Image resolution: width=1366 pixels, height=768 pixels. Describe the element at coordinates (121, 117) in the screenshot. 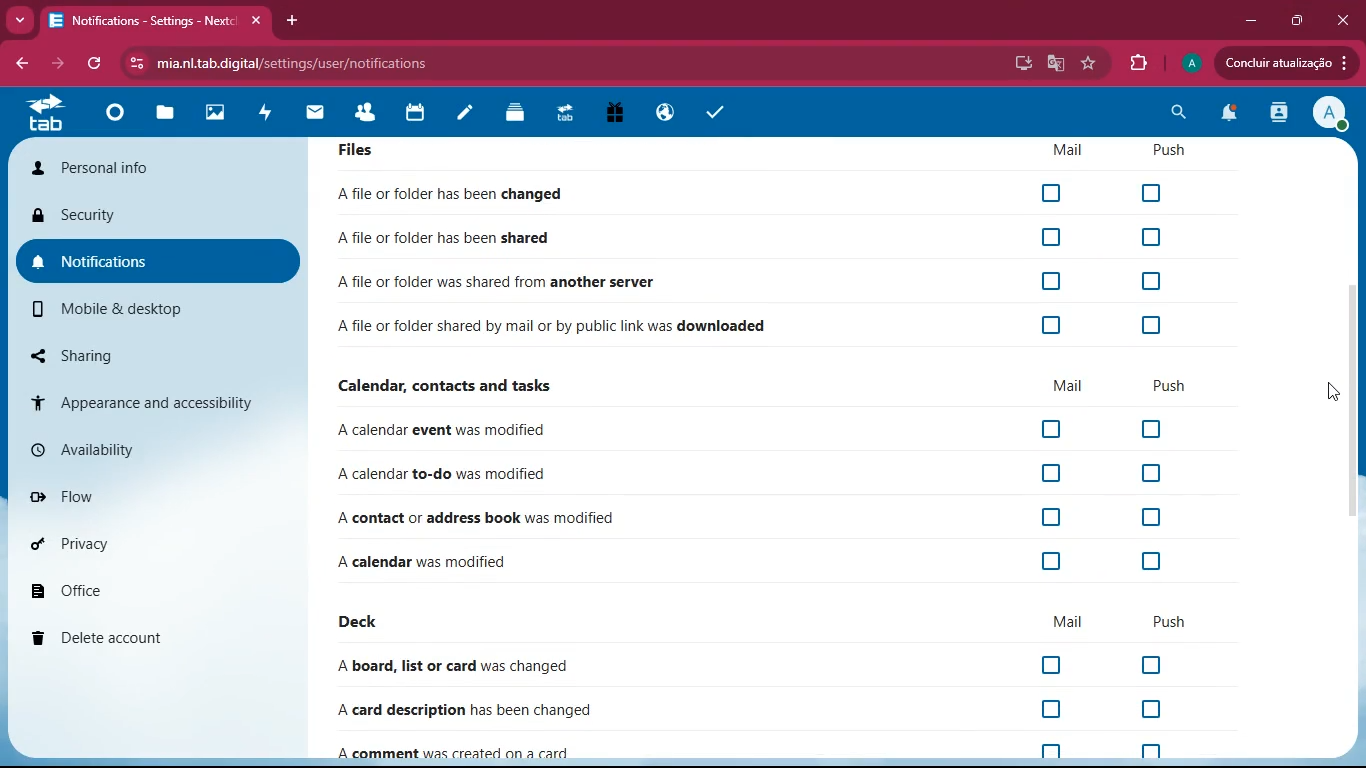

I see `home` at that location.